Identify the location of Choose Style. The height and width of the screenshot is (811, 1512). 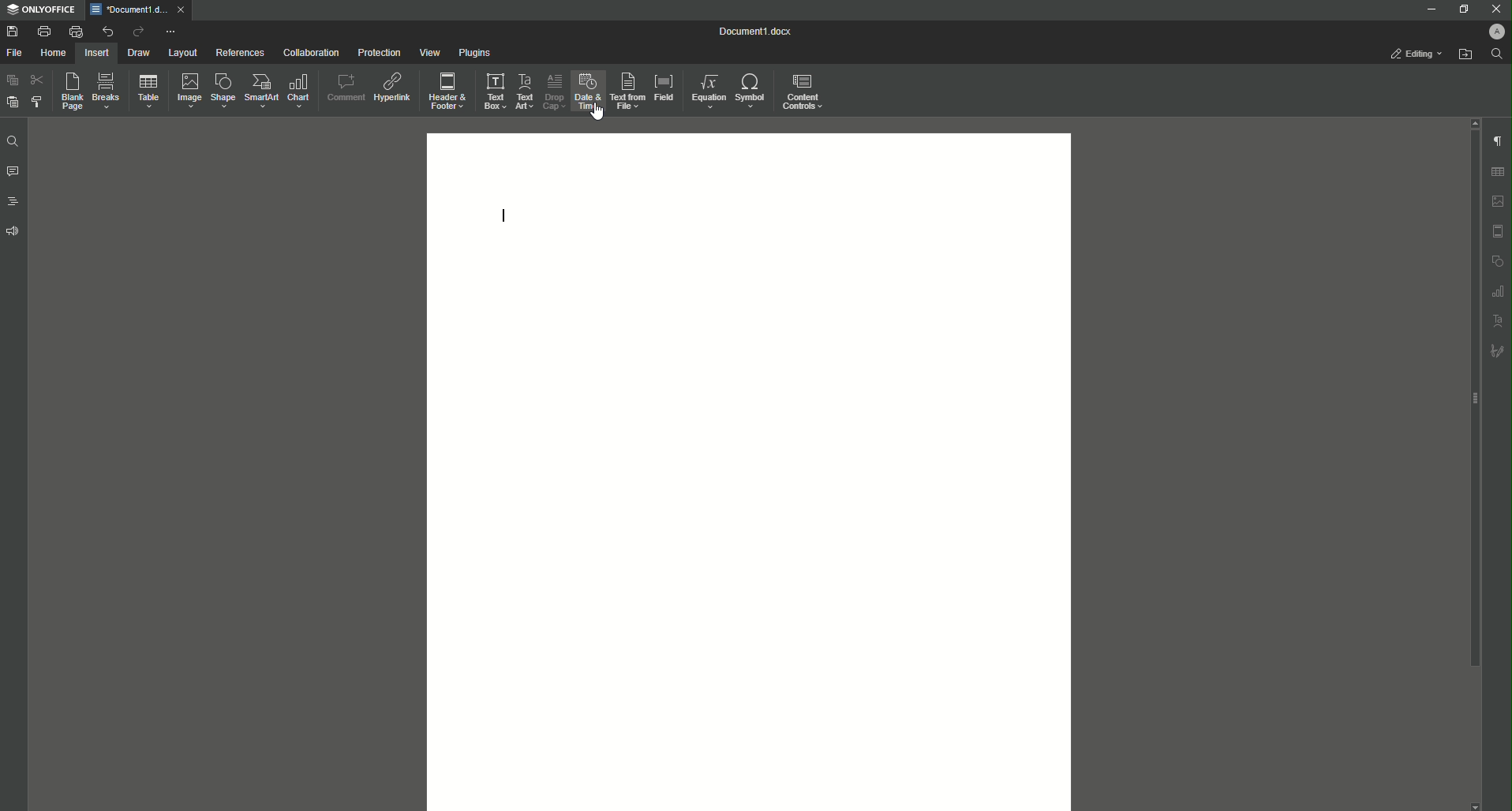
(37, 102).